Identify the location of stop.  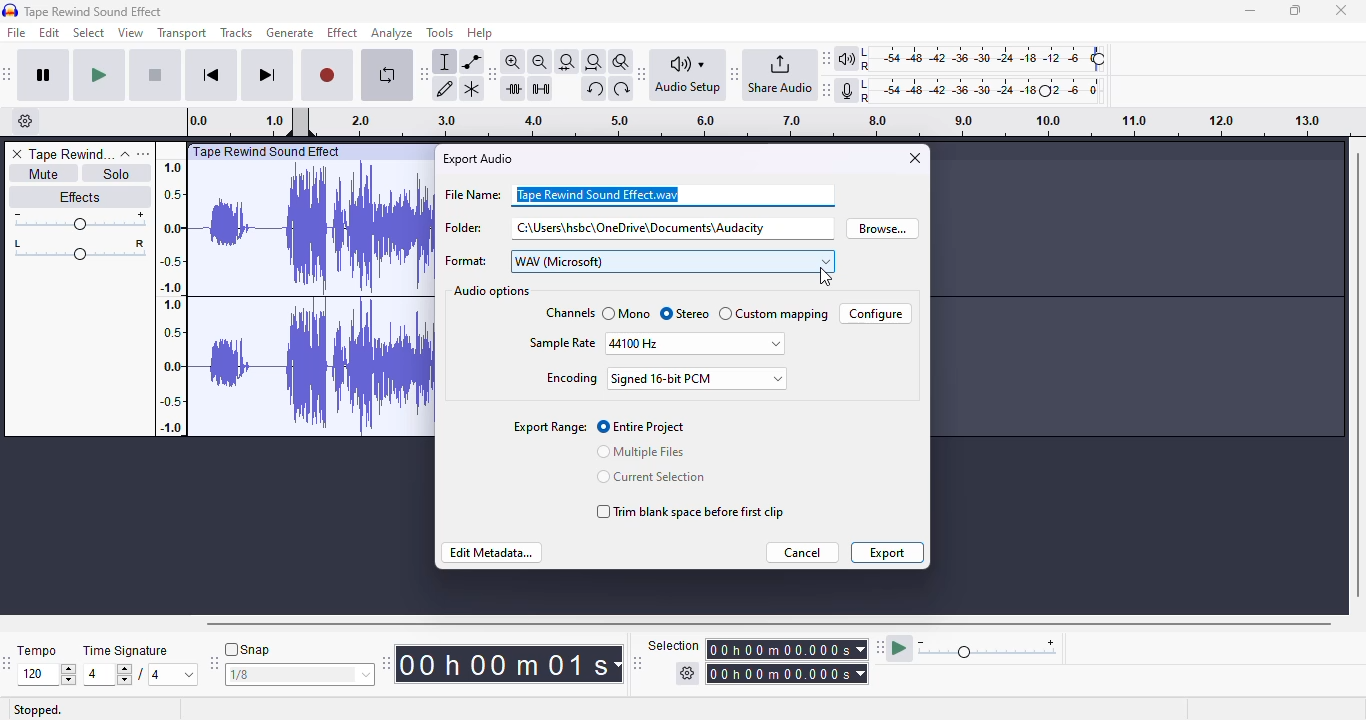
(156, 76).